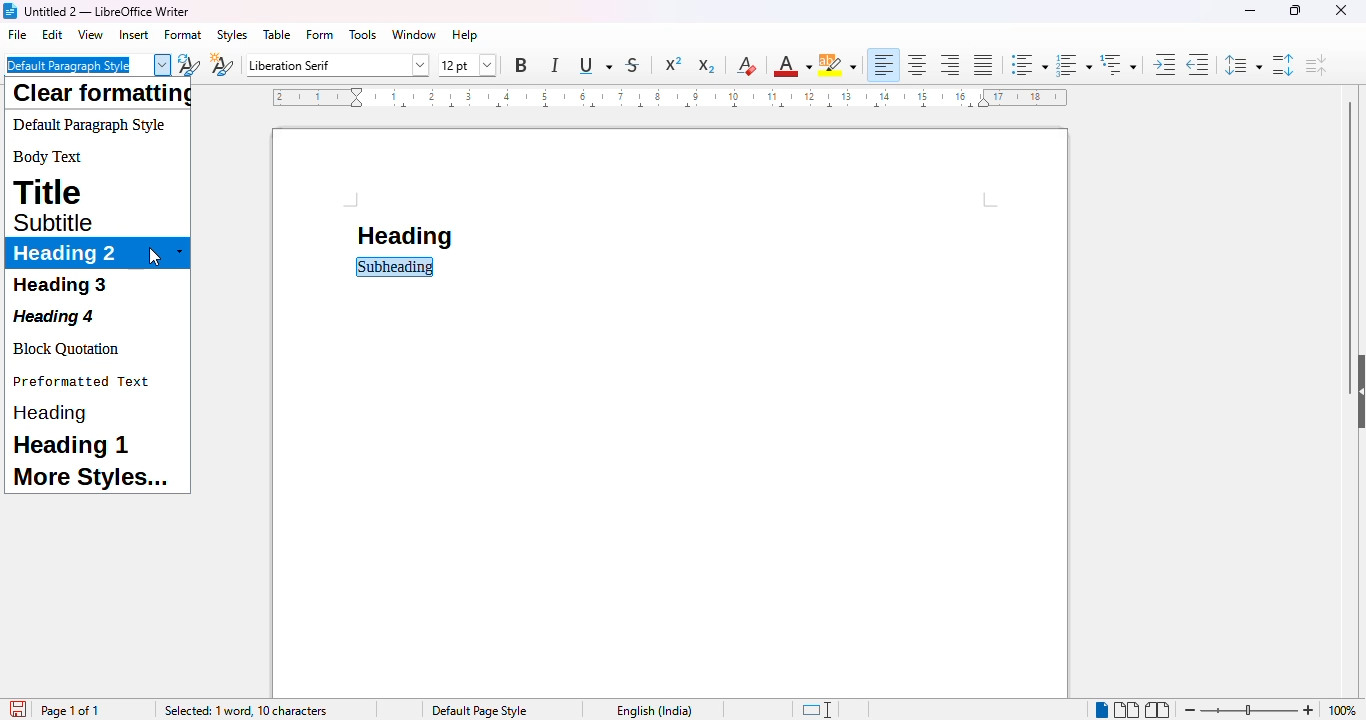 The width and height of the screenshot is (1366, 720). Describe the element at coordinates (1316, 65) in the screenshot. I see `decrease paragraph spacing` at that location.